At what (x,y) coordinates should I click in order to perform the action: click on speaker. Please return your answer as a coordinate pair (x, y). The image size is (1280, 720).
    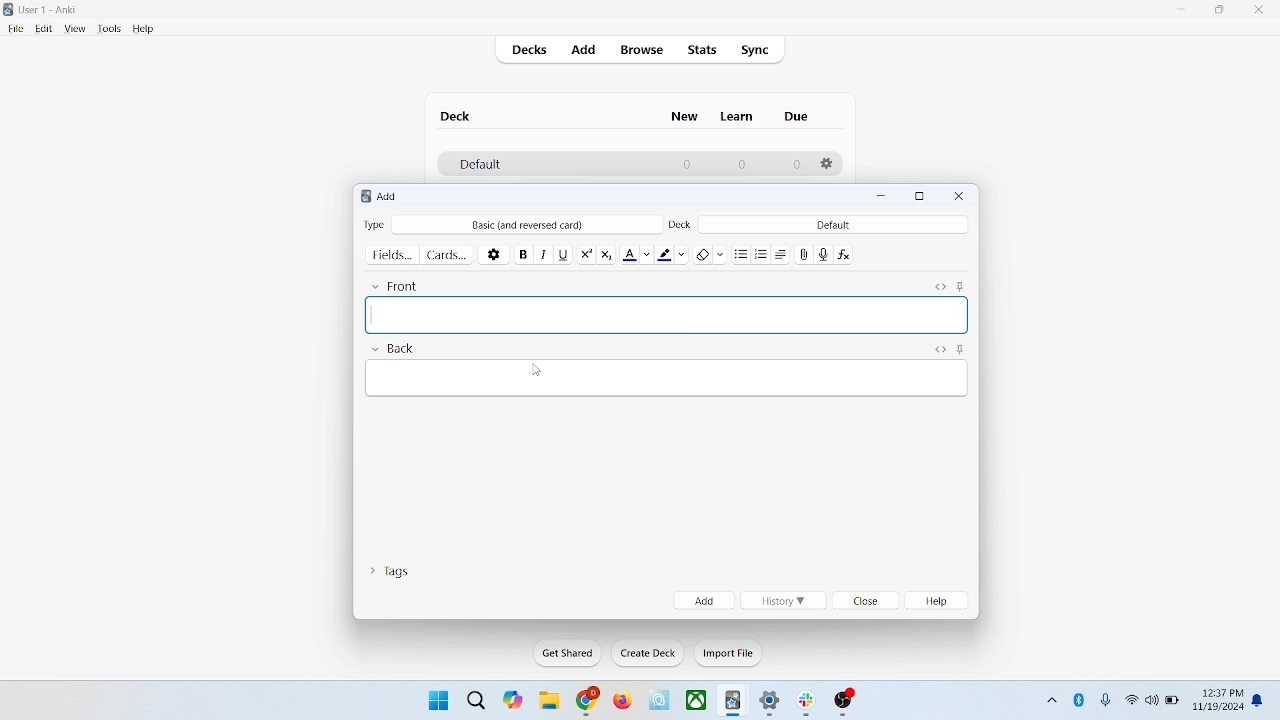
    Looking at the image, I should click on (1152, 699).